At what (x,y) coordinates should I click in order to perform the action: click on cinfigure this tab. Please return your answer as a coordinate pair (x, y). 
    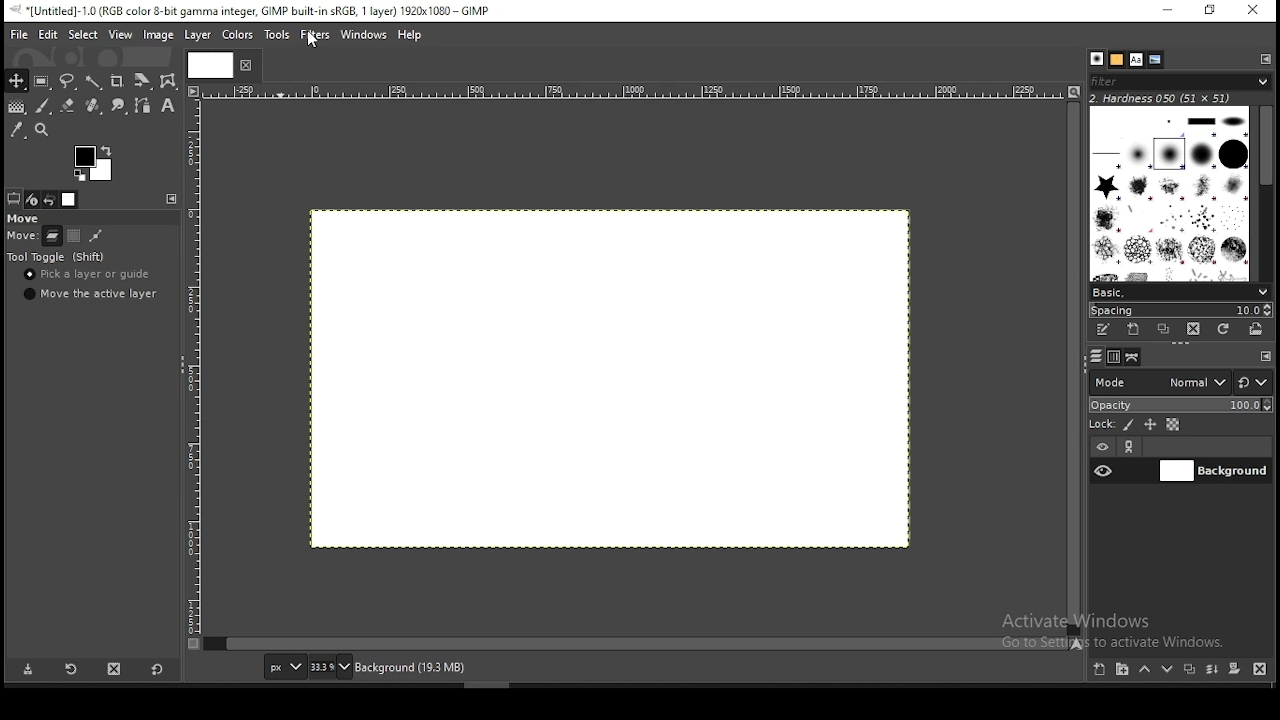
    Looking at the image, I should click on (1266, 60).